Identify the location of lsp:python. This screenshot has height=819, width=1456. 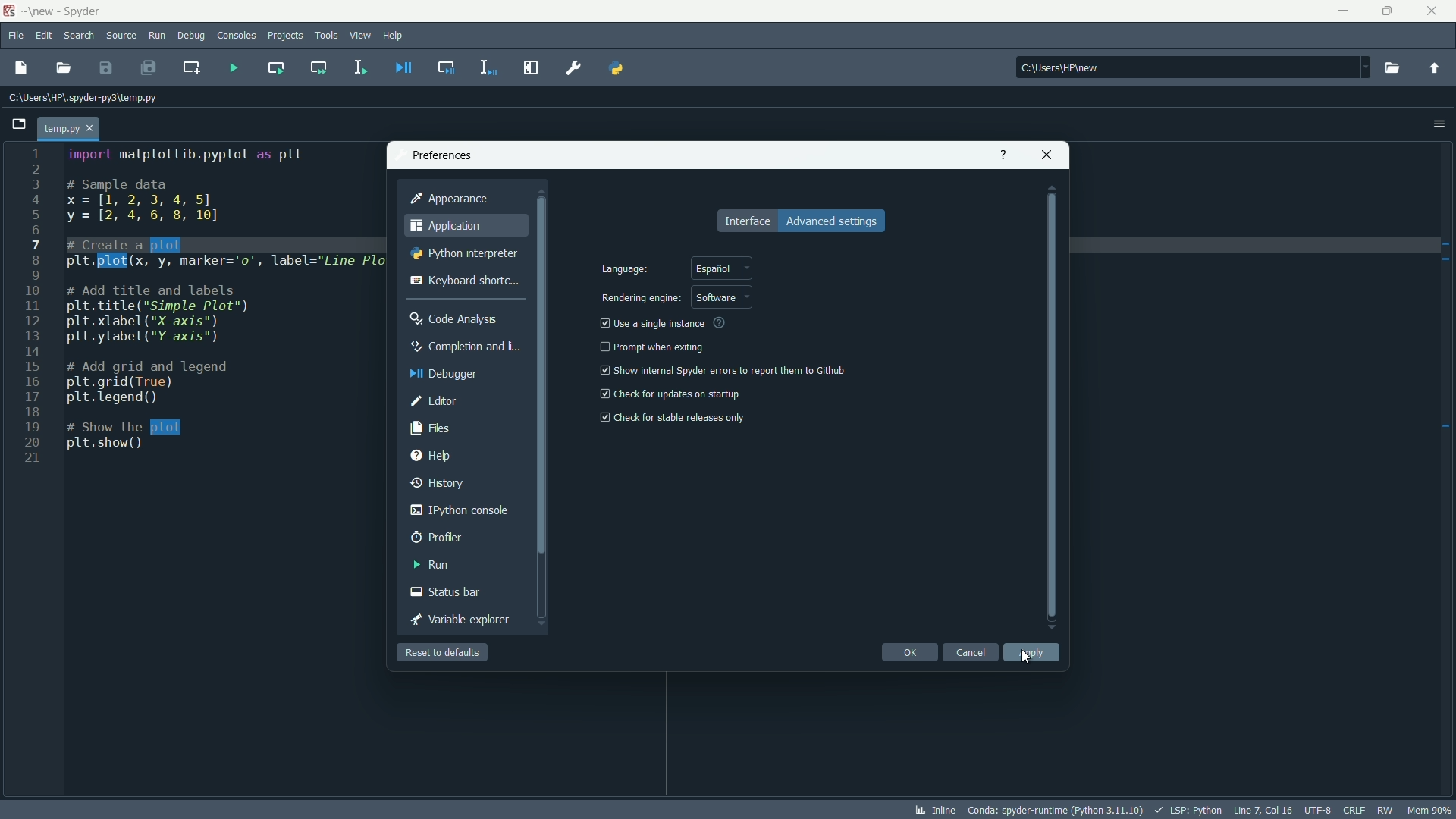
(1186, 810).